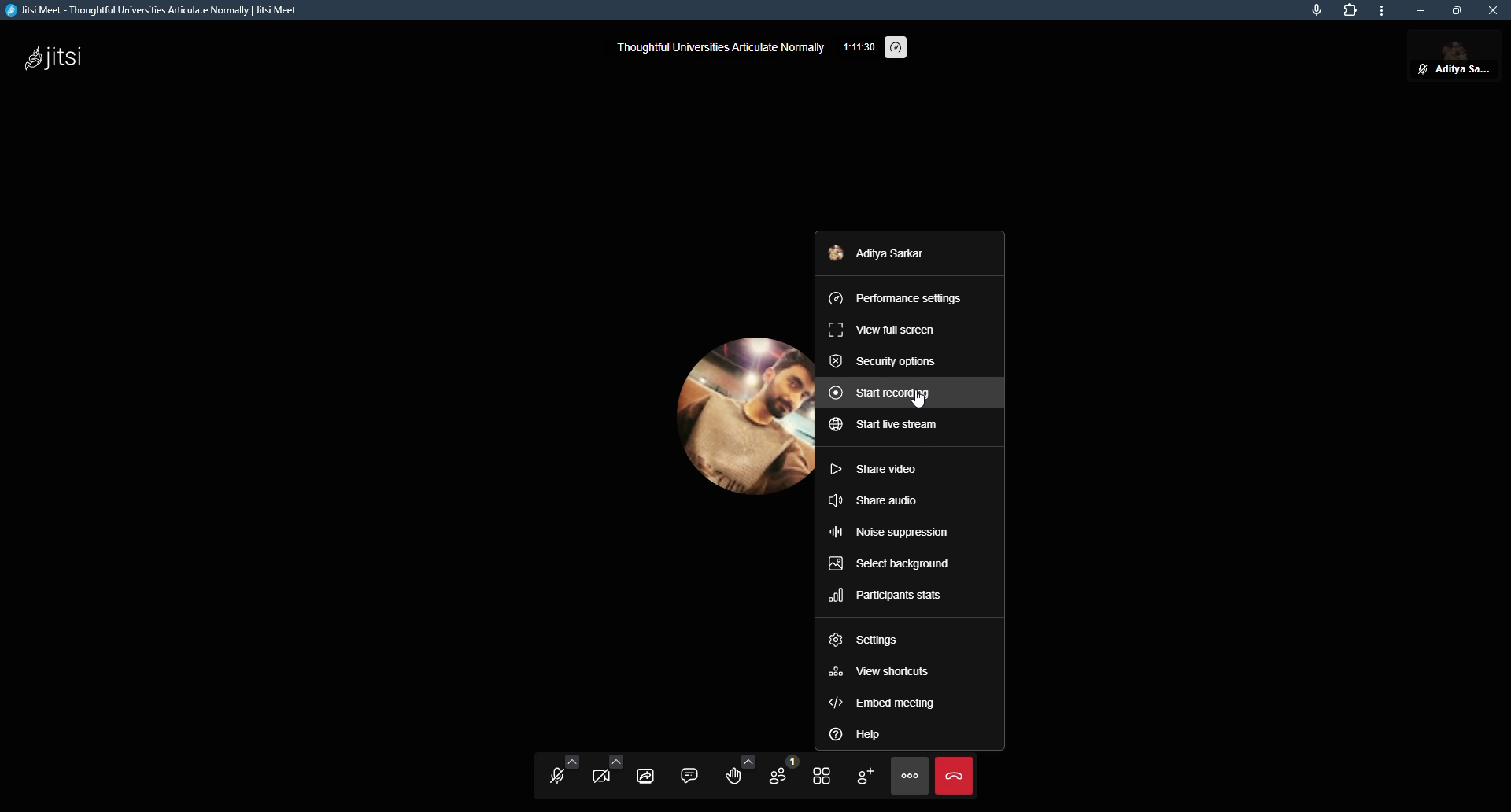  Describe the element at coordinates (900, 43) in the screenshot. I see `performance settings` at that location.